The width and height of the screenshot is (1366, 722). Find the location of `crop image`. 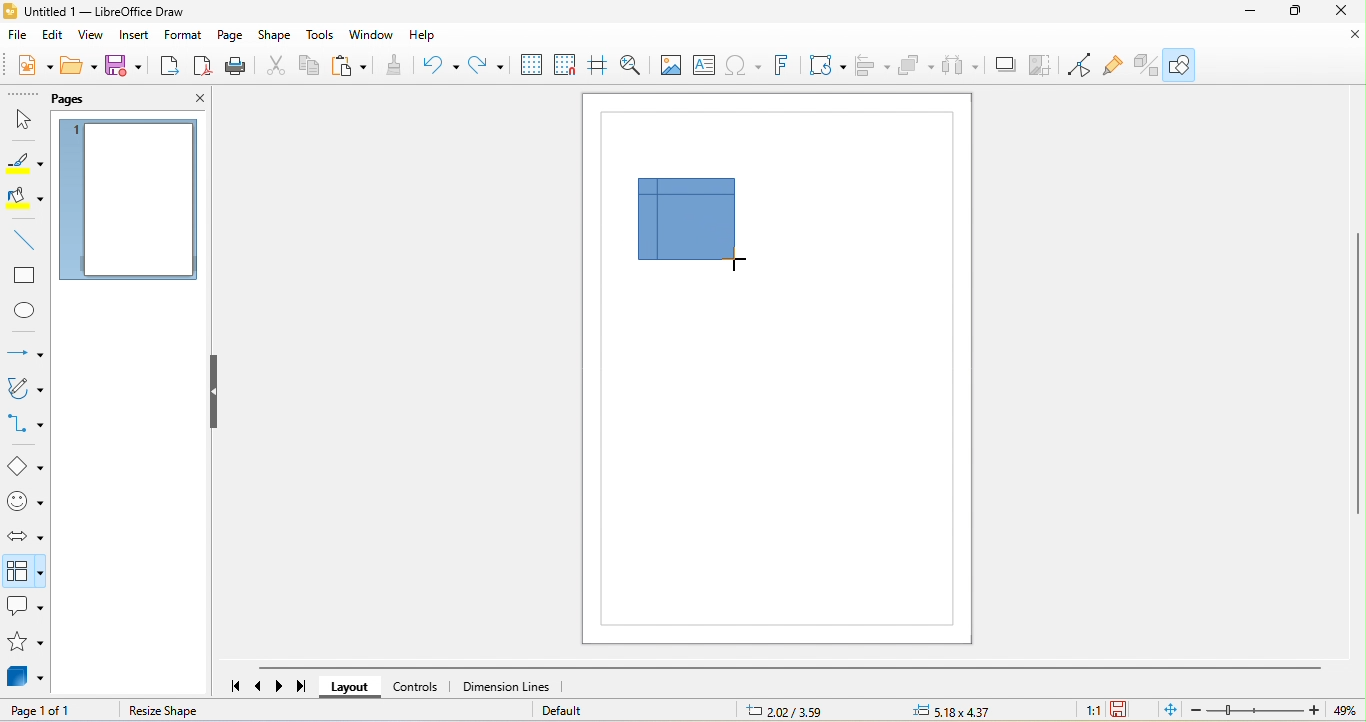

crop image is located at coordinates (1046, 66).